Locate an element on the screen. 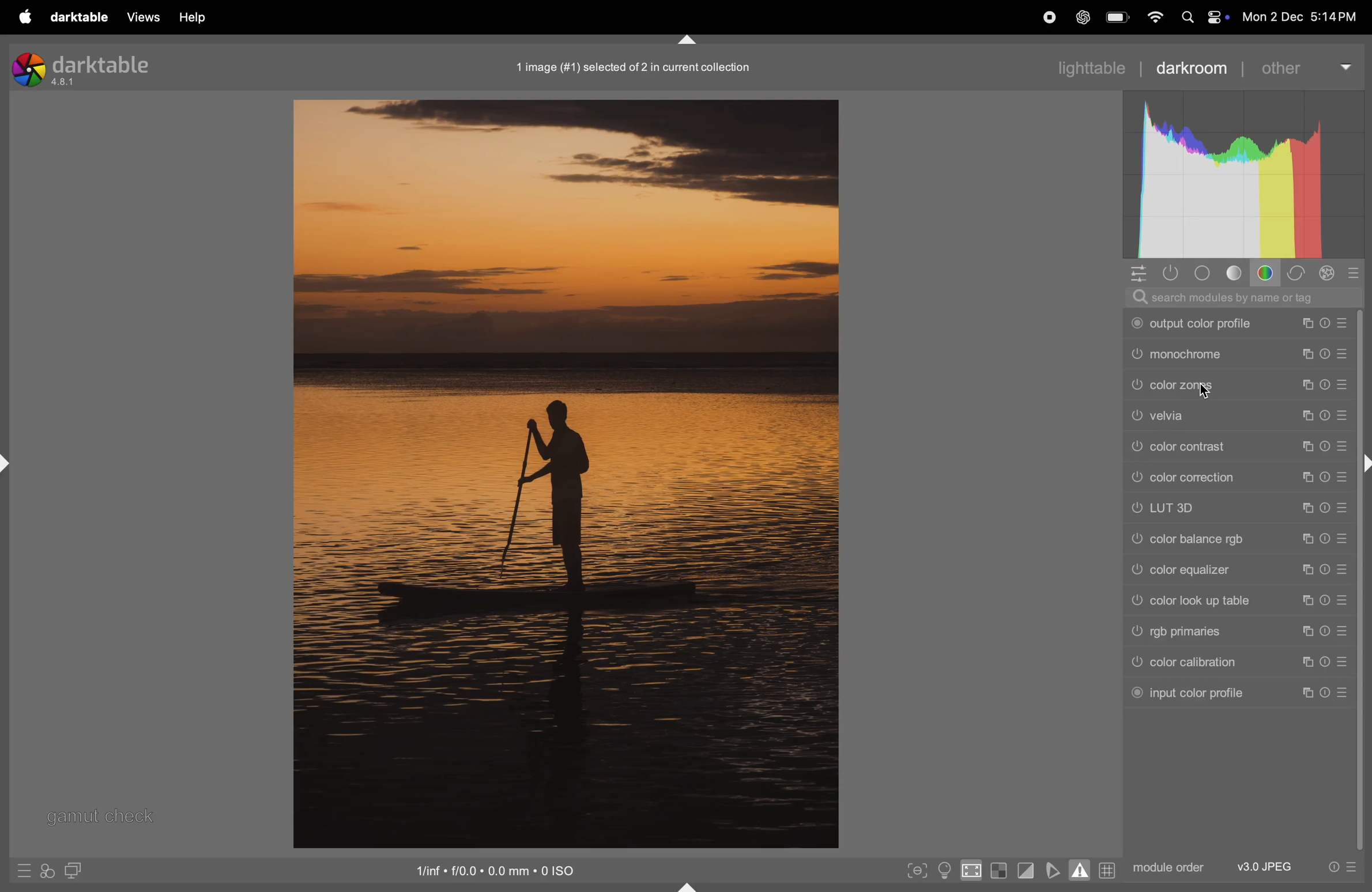  preset is located at coordinates (1344, 599).